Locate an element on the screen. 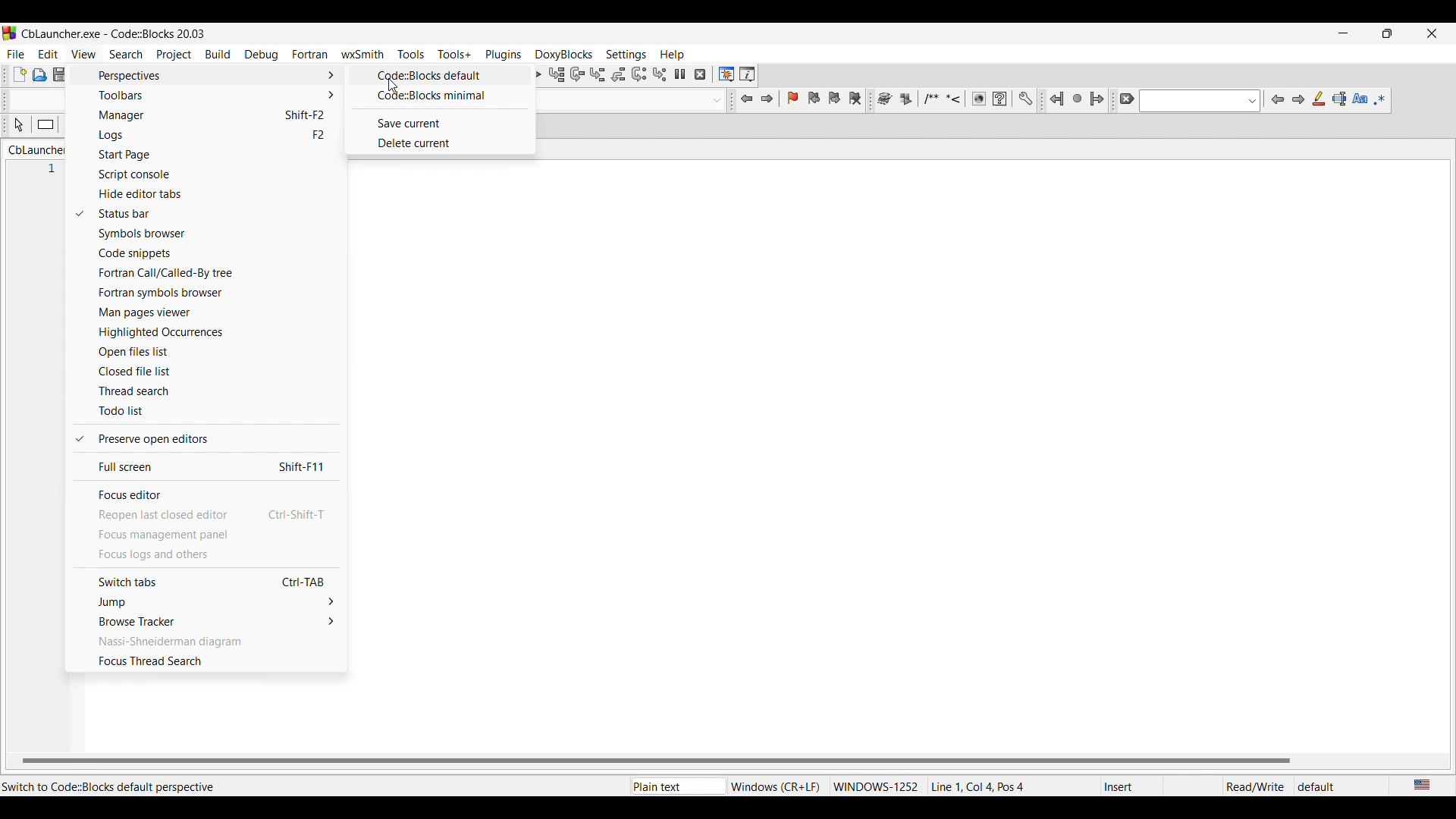  Current tab is located at coordinates (39, 149).